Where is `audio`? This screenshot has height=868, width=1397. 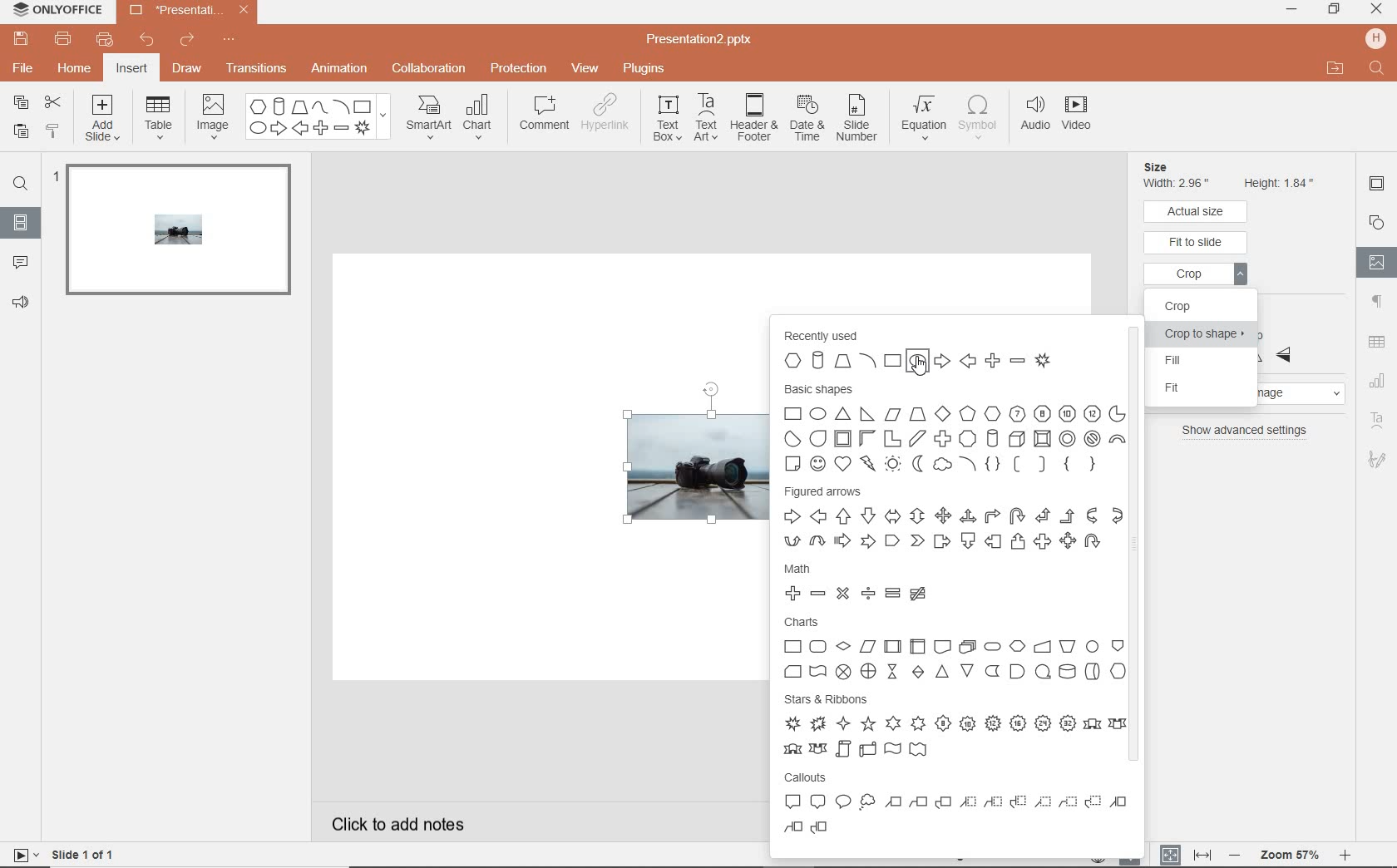
audio is located at coordinates (1034, 116).